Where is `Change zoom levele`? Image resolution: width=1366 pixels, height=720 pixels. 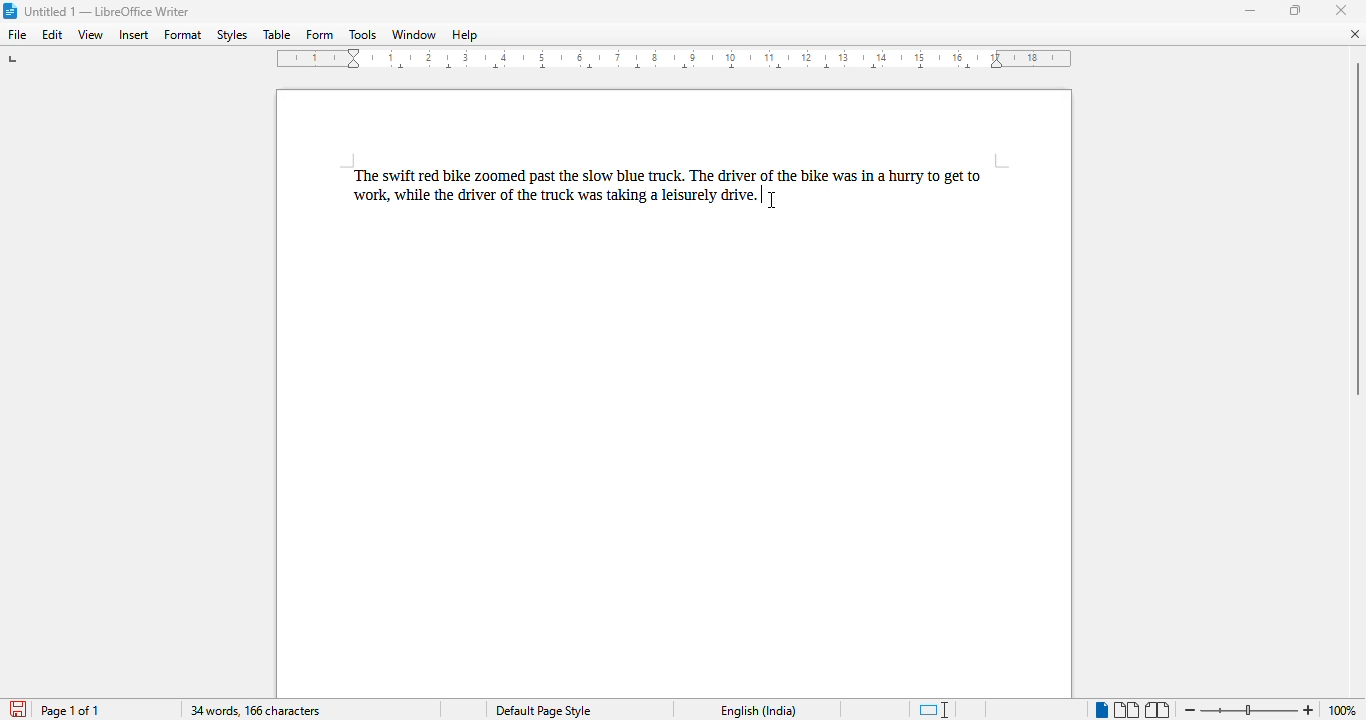
Change zoom levele is located at coordinates (1248, 711).